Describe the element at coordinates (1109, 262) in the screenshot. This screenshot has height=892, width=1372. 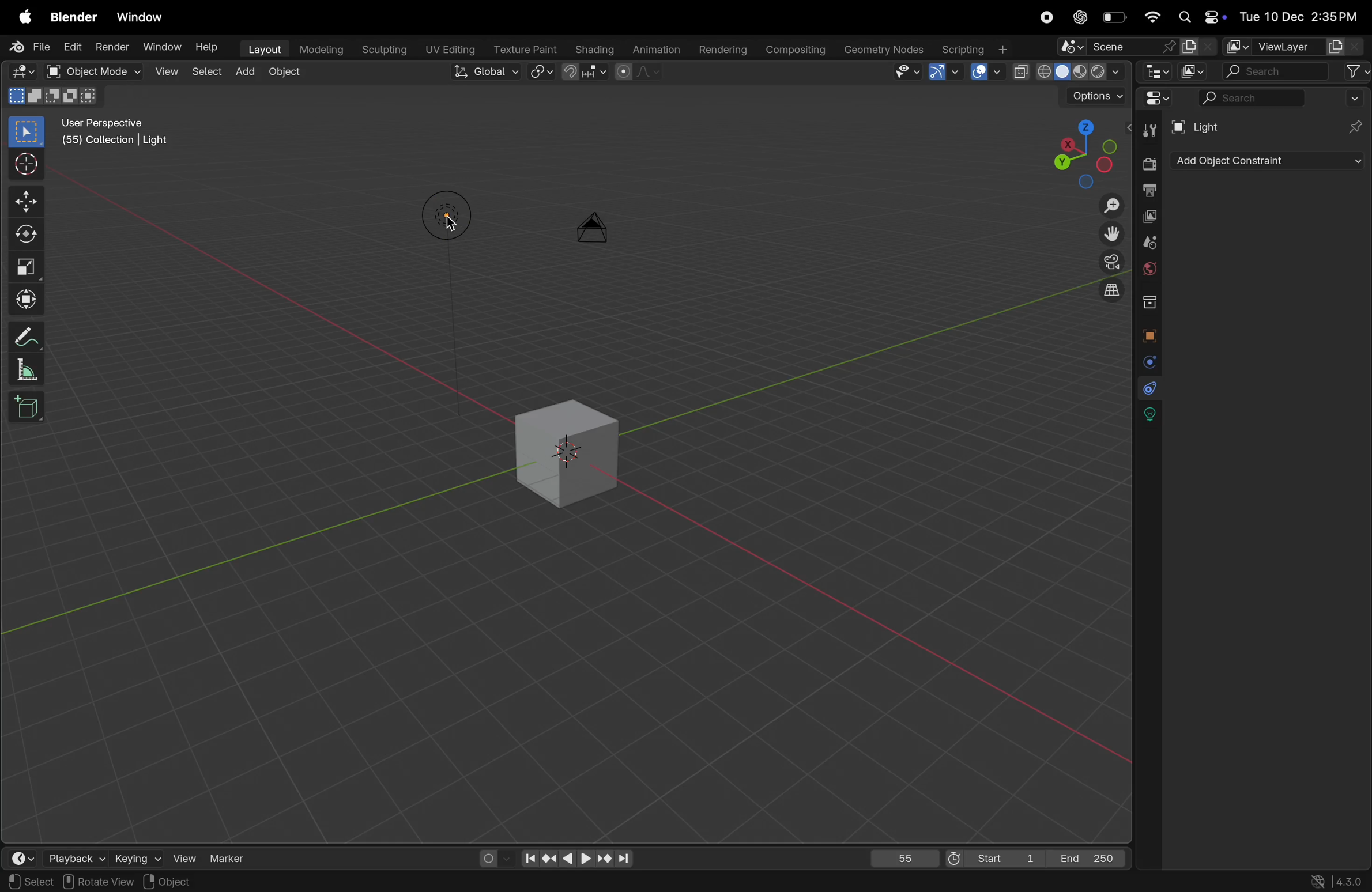
I see `camera` at that location.